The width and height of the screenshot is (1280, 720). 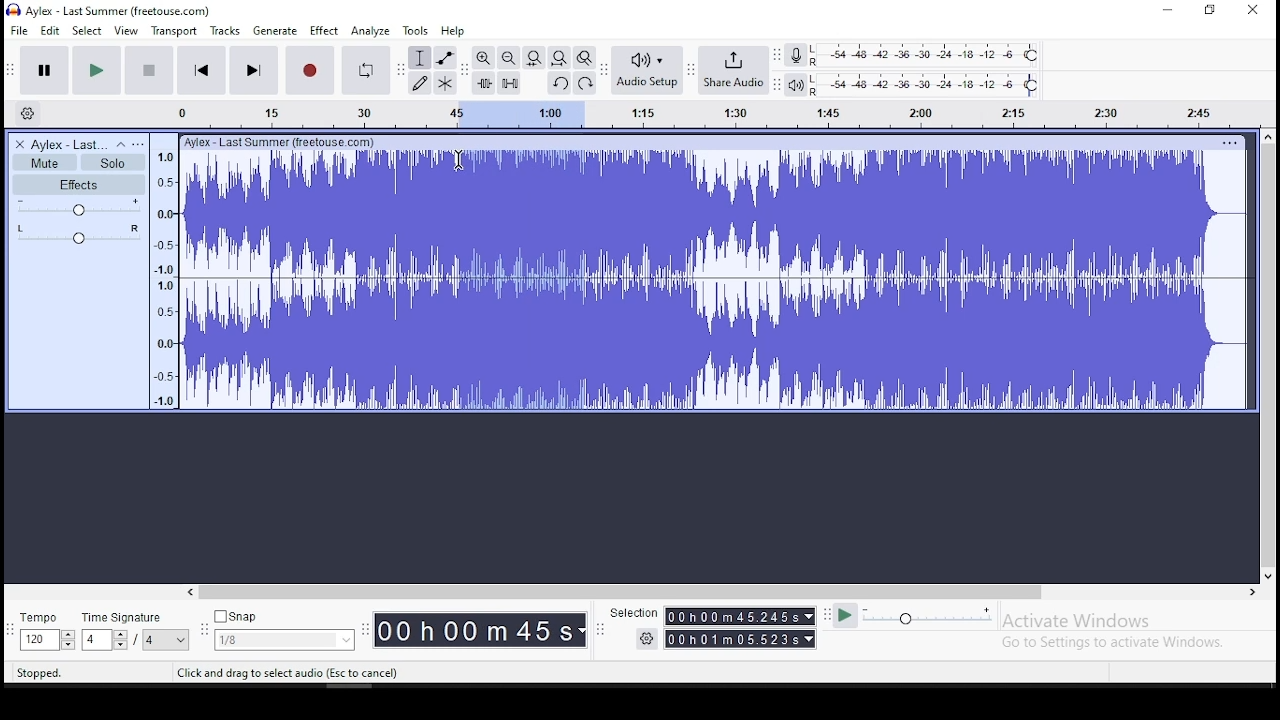 What do you see at coordinates (45, 633) in the screenshot?
I see `tempo` at bounding box center [45, 633].